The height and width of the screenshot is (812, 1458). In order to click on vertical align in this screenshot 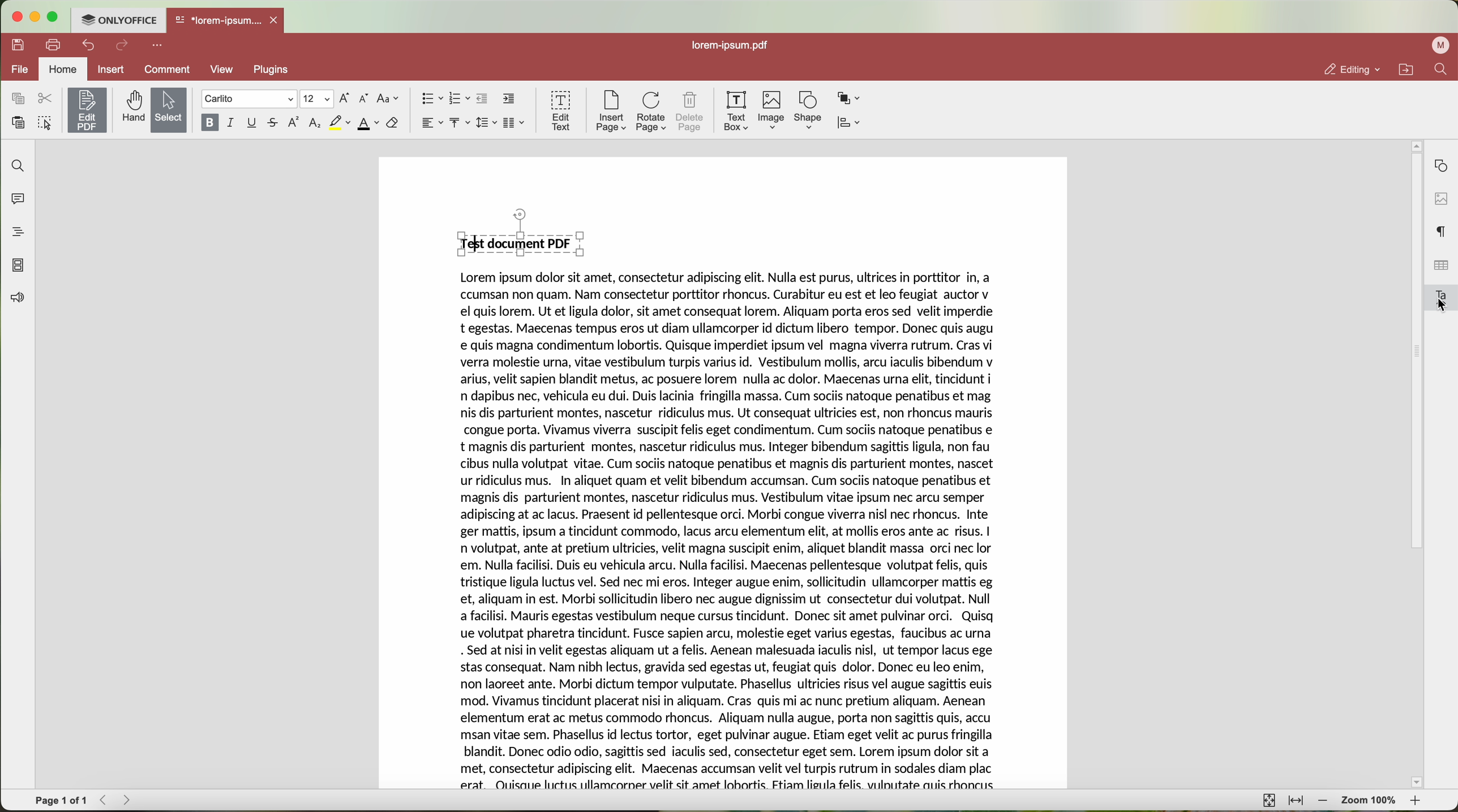, I will do `click(461, 123)`.